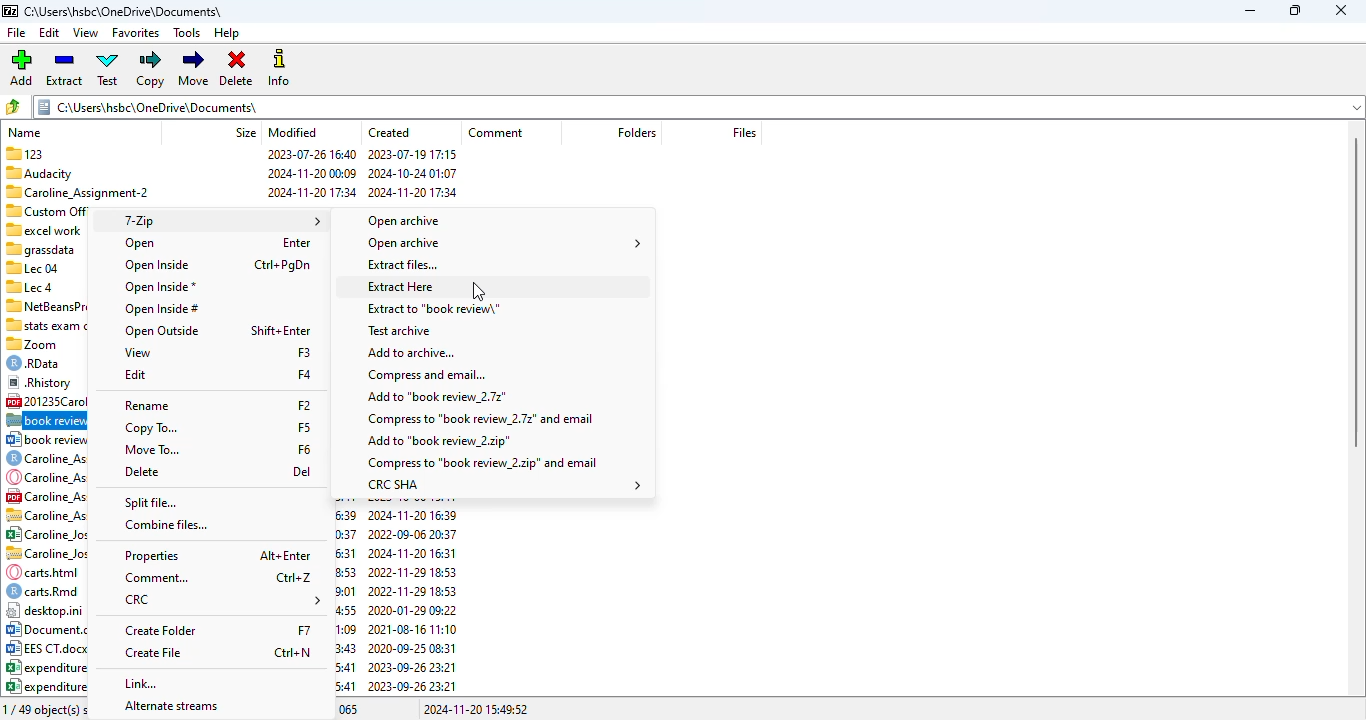 The height and width of the screenshot is (720, 1366). What do you see at coordinates (40, 362) in the screenshot?
I see `© RData` at bounding box center [40, 362].